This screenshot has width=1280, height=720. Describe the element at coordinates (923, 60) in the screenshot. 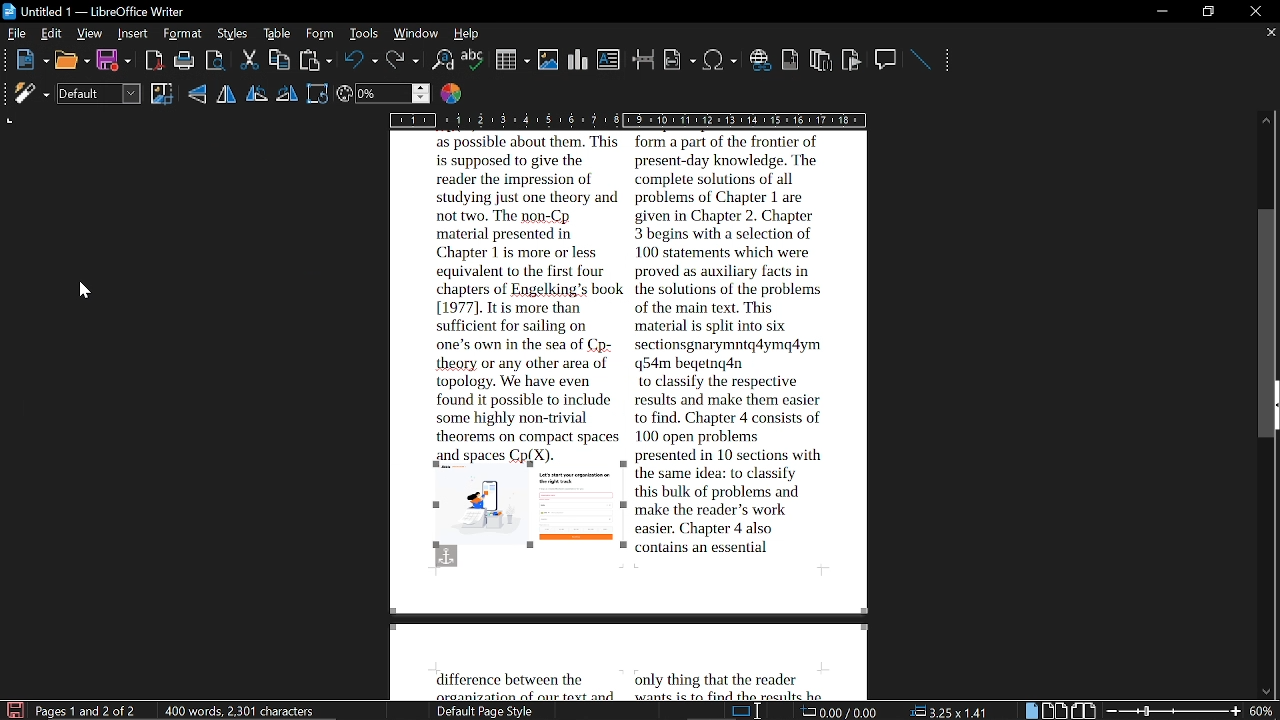

I see `insert line` at that location.